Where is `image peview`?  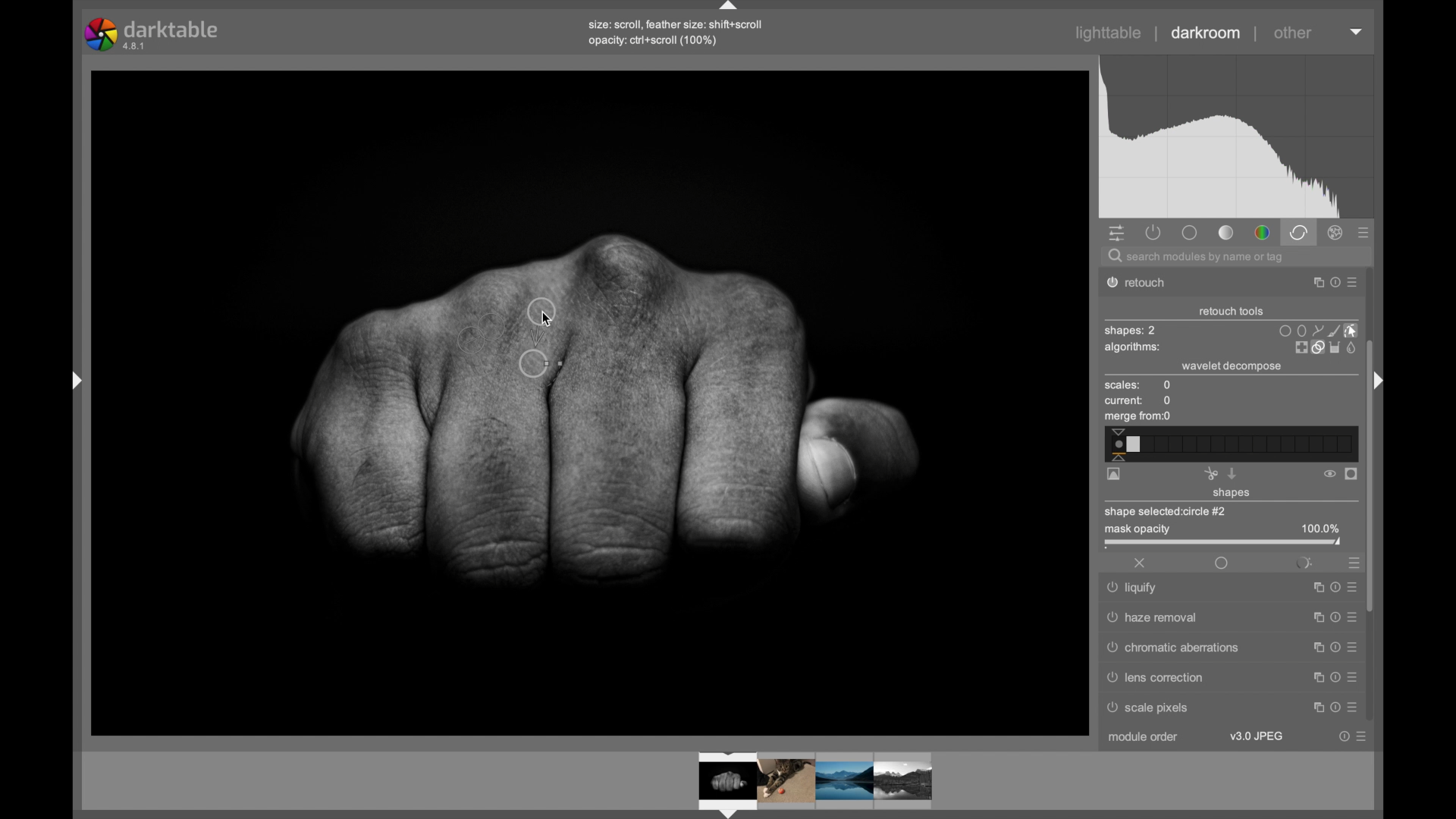 image peview is located at coordinates (800, 783).